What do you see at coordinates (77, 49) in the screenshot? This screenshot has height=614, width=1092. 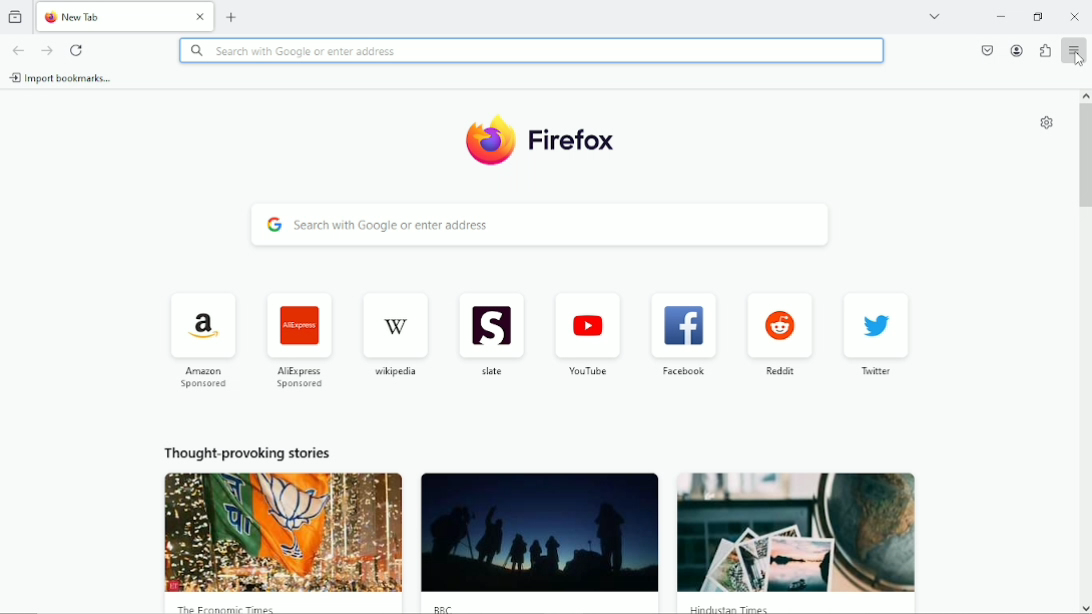 I see `reload current page` at bounding box center [77, 49].